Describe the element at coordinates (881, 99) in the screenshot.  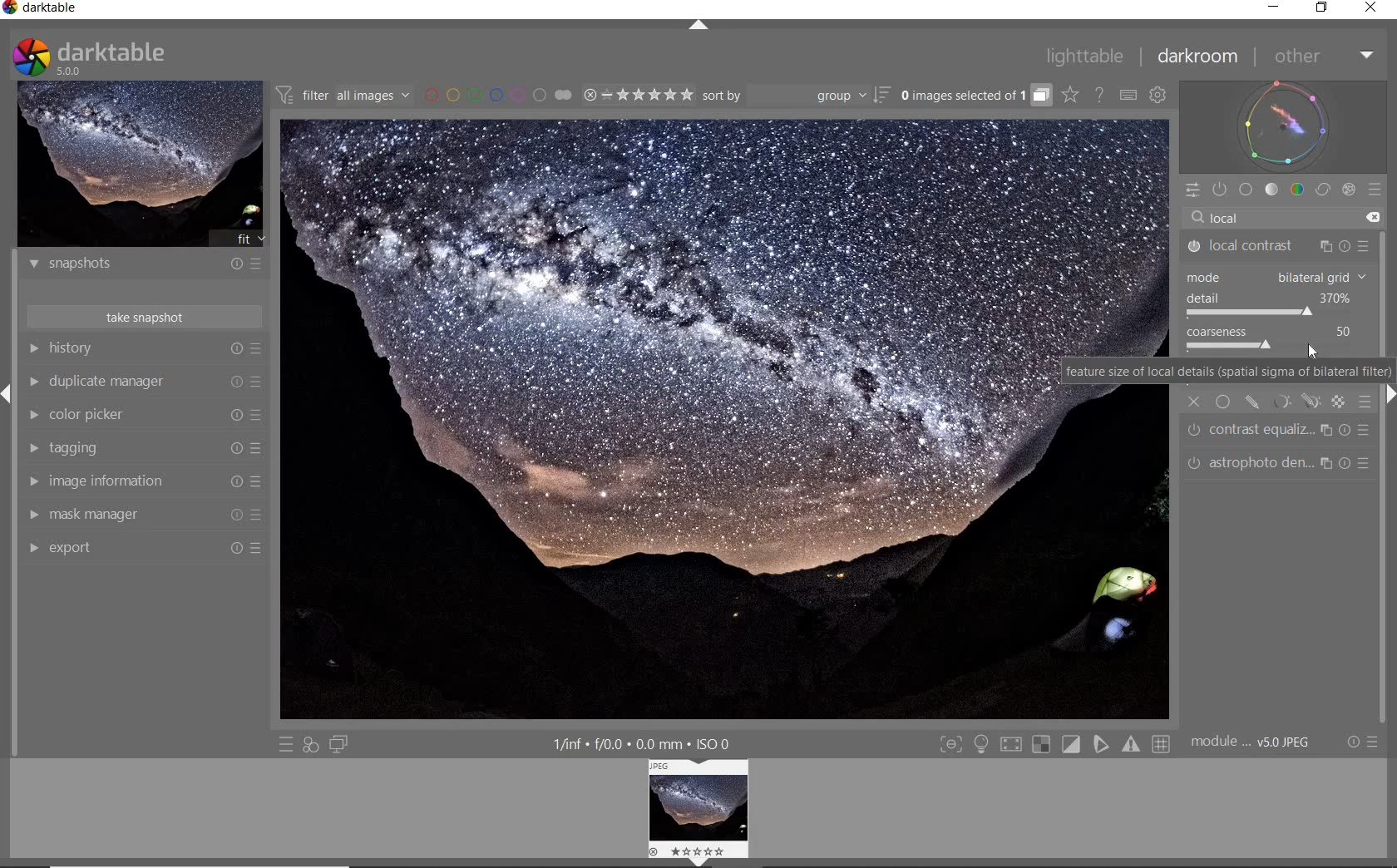
I see `sort` at that location.